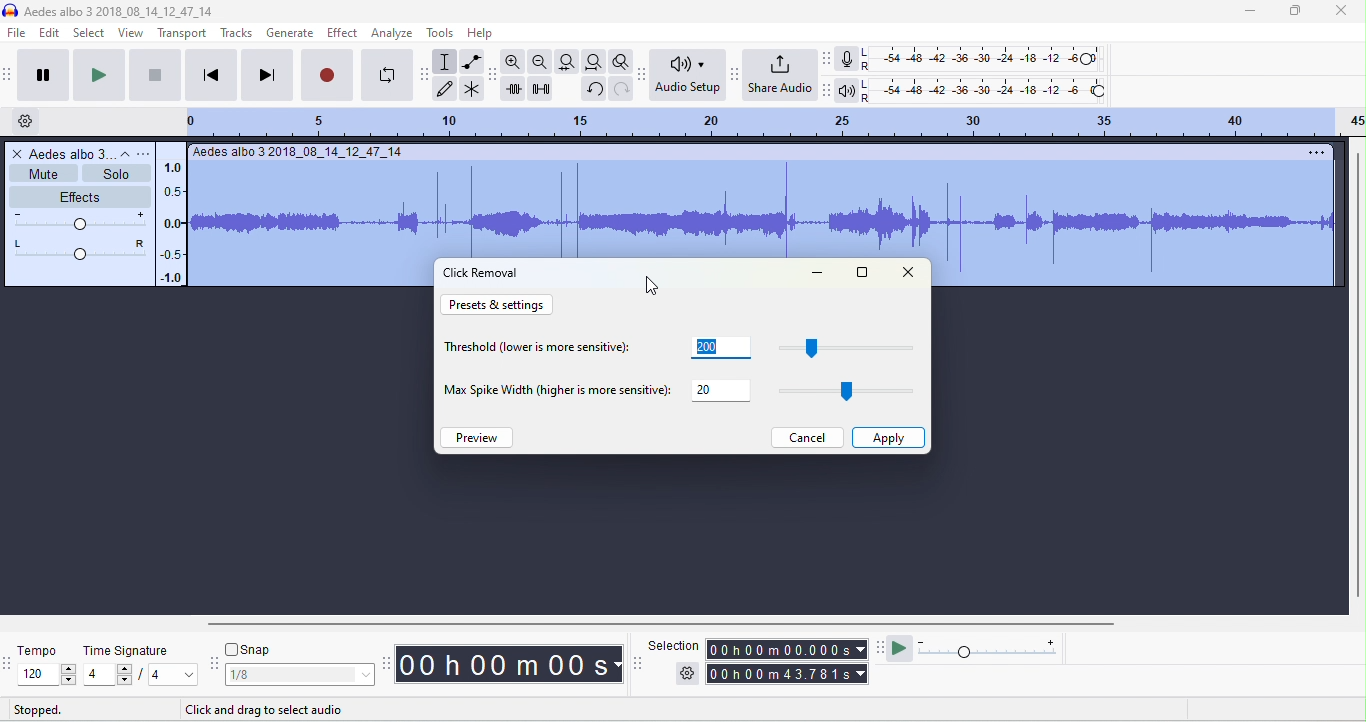 The image size is (1366, 722). Describe the element at coordinates (386, 662) in the screenshot. I see `audacity time toolbar` at that location.